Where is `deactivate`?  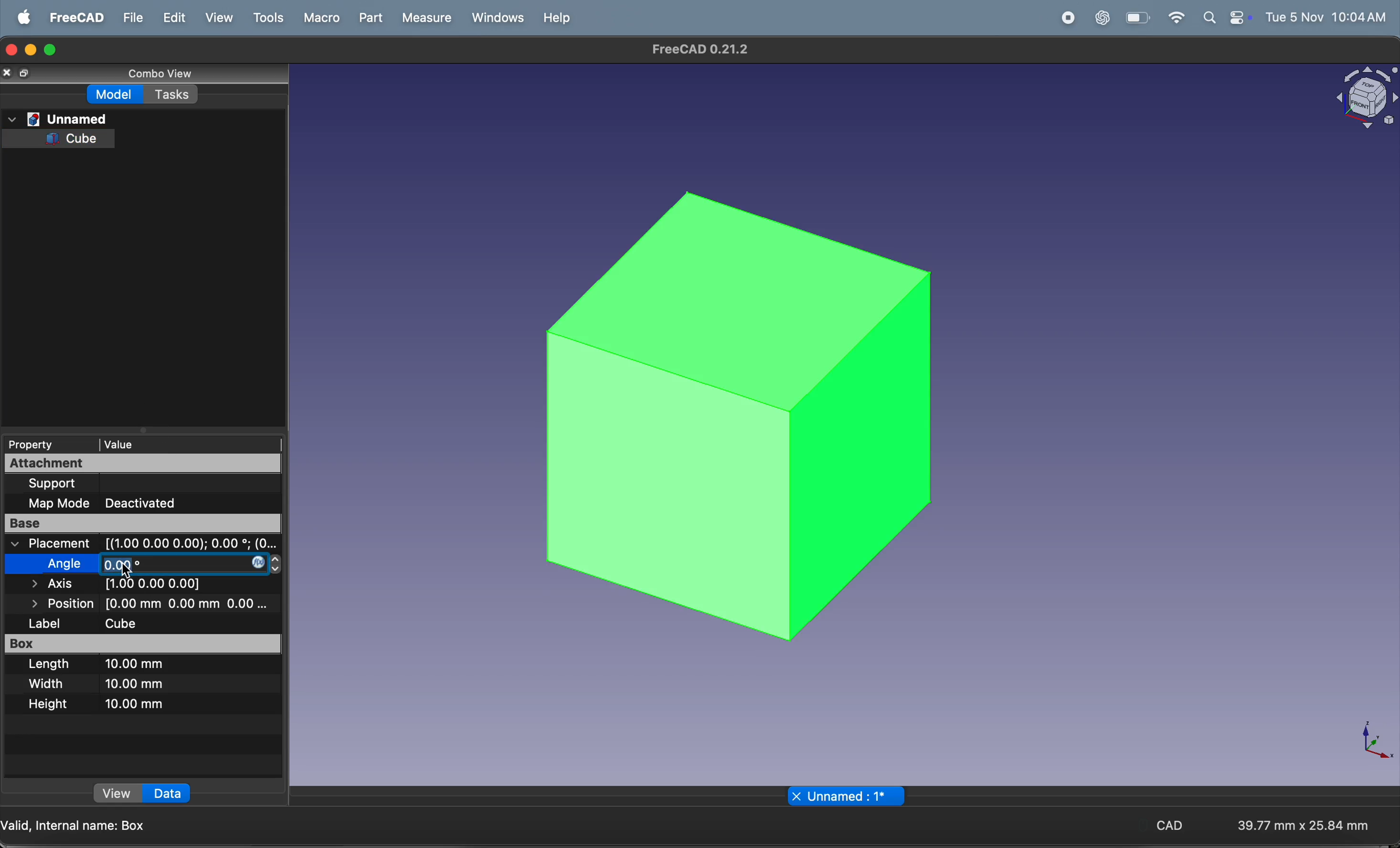 deactivate is located at coordinates (177, 504).